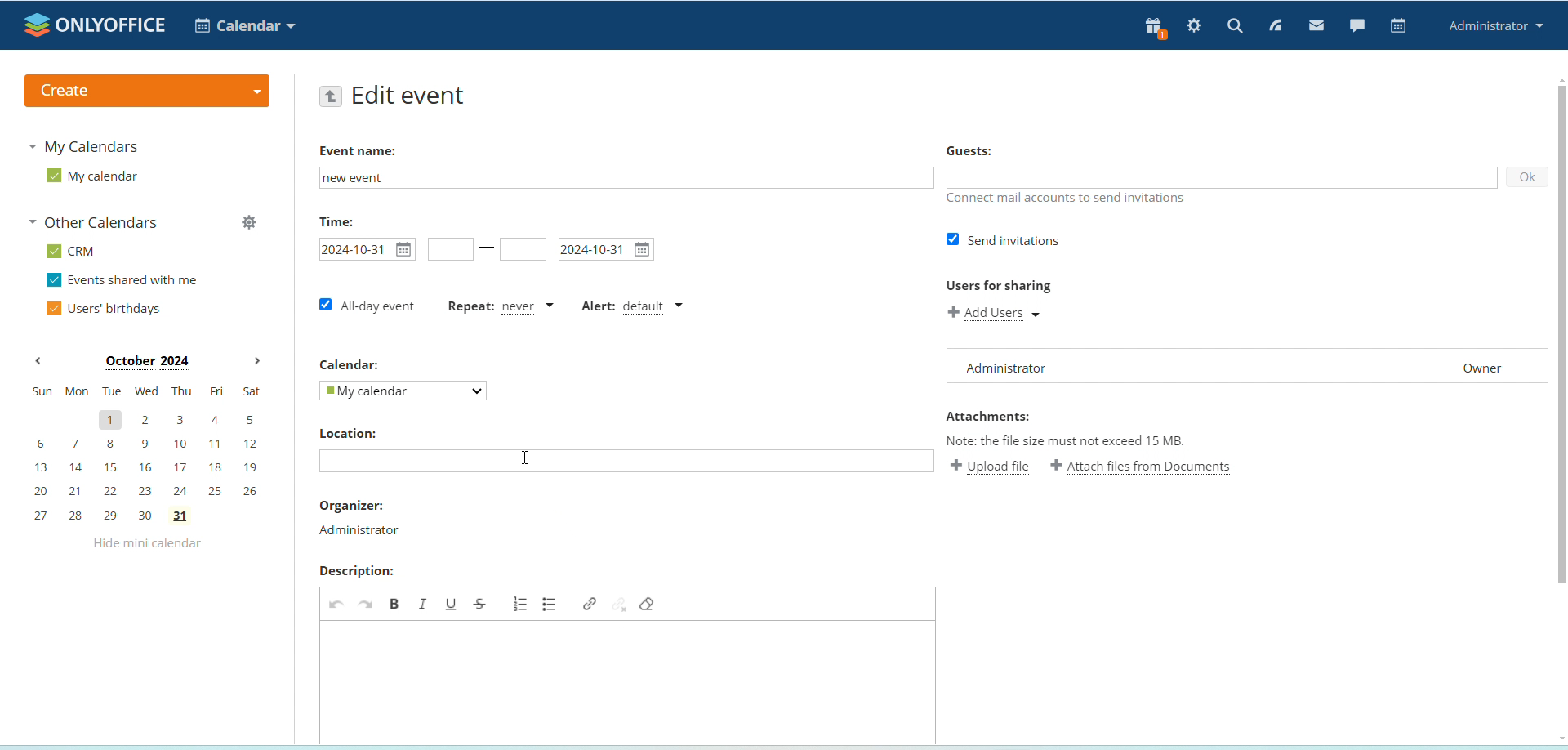  Describe the element at coordinates (988, 417) in the screenshot. I see `Attachments` at that location.